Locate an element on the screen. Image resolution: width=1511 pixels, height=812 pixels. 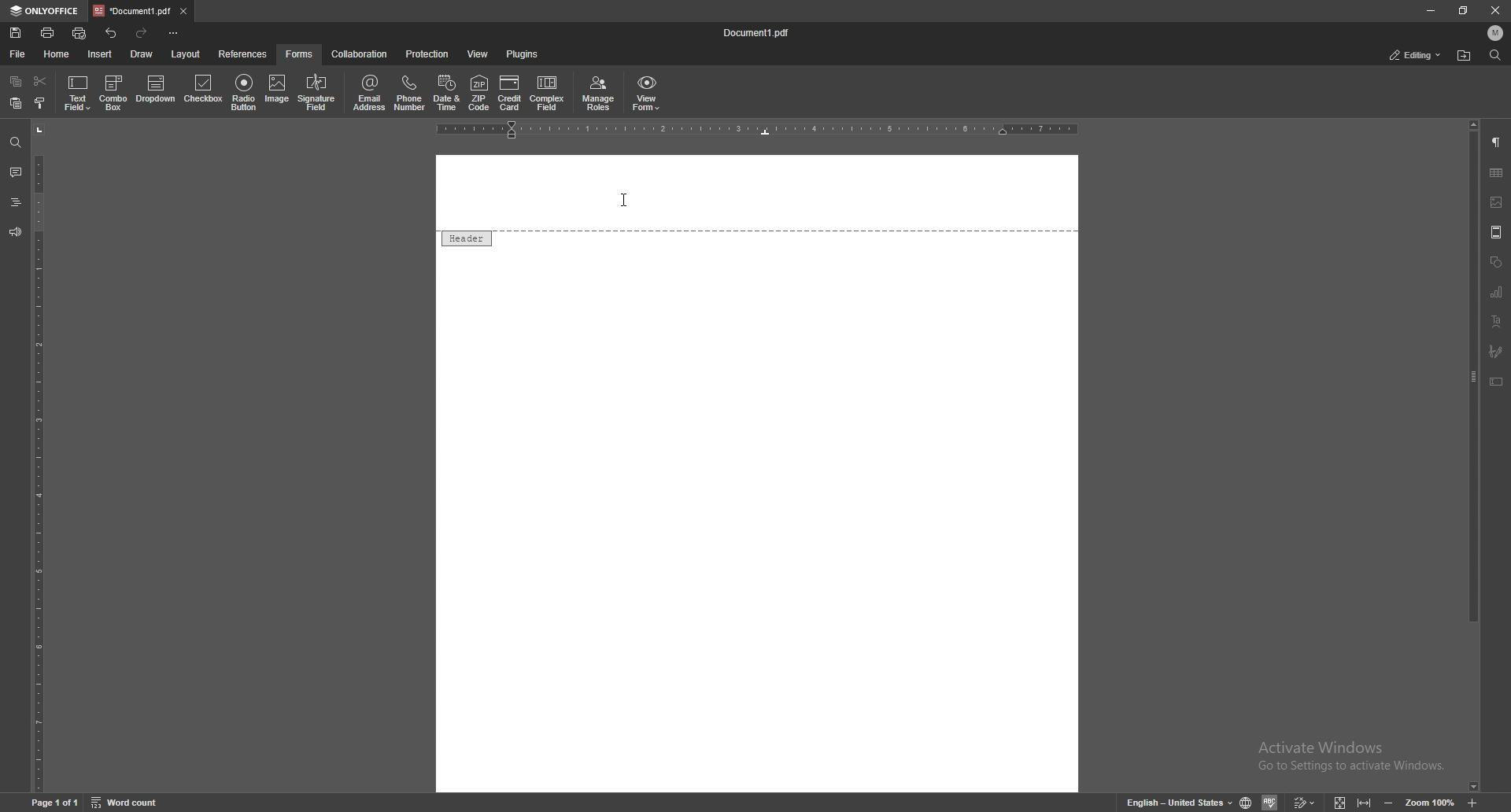
radio button is located at coordinates (244, 90).